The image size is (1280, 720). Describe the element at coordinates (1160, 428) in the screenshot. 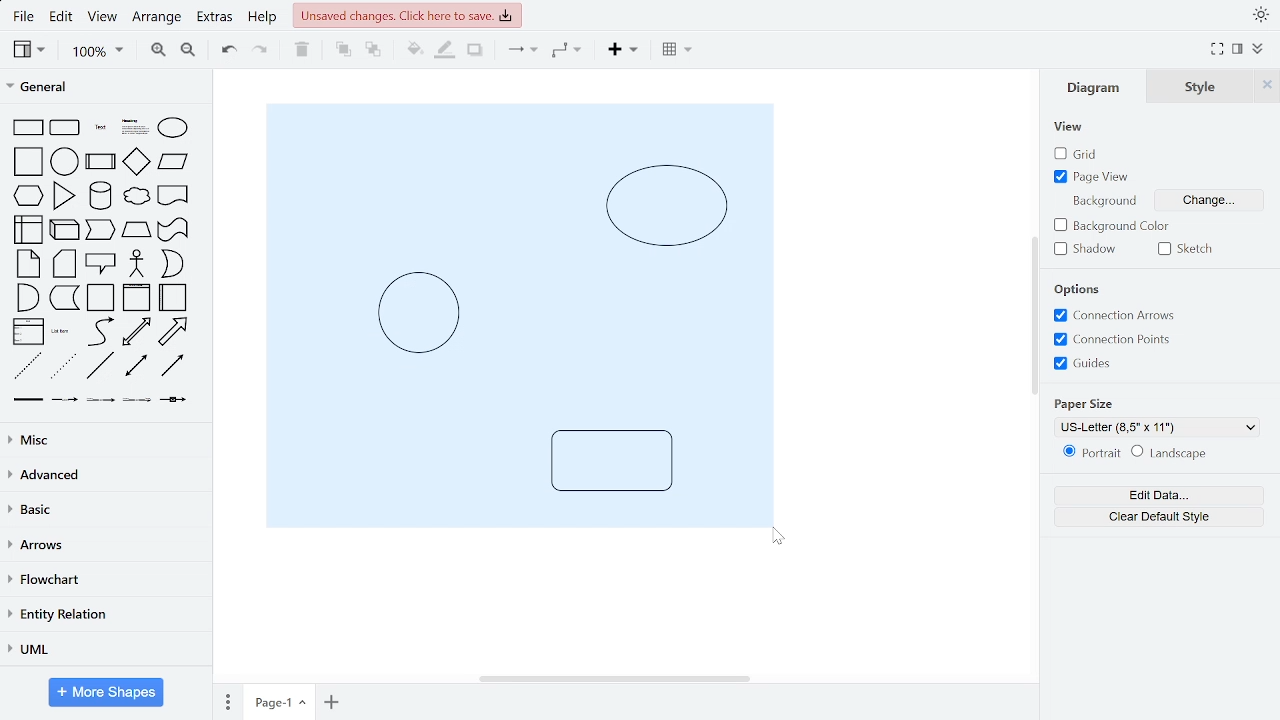

I see `US-Letter (8,5" x 11")` at that location.